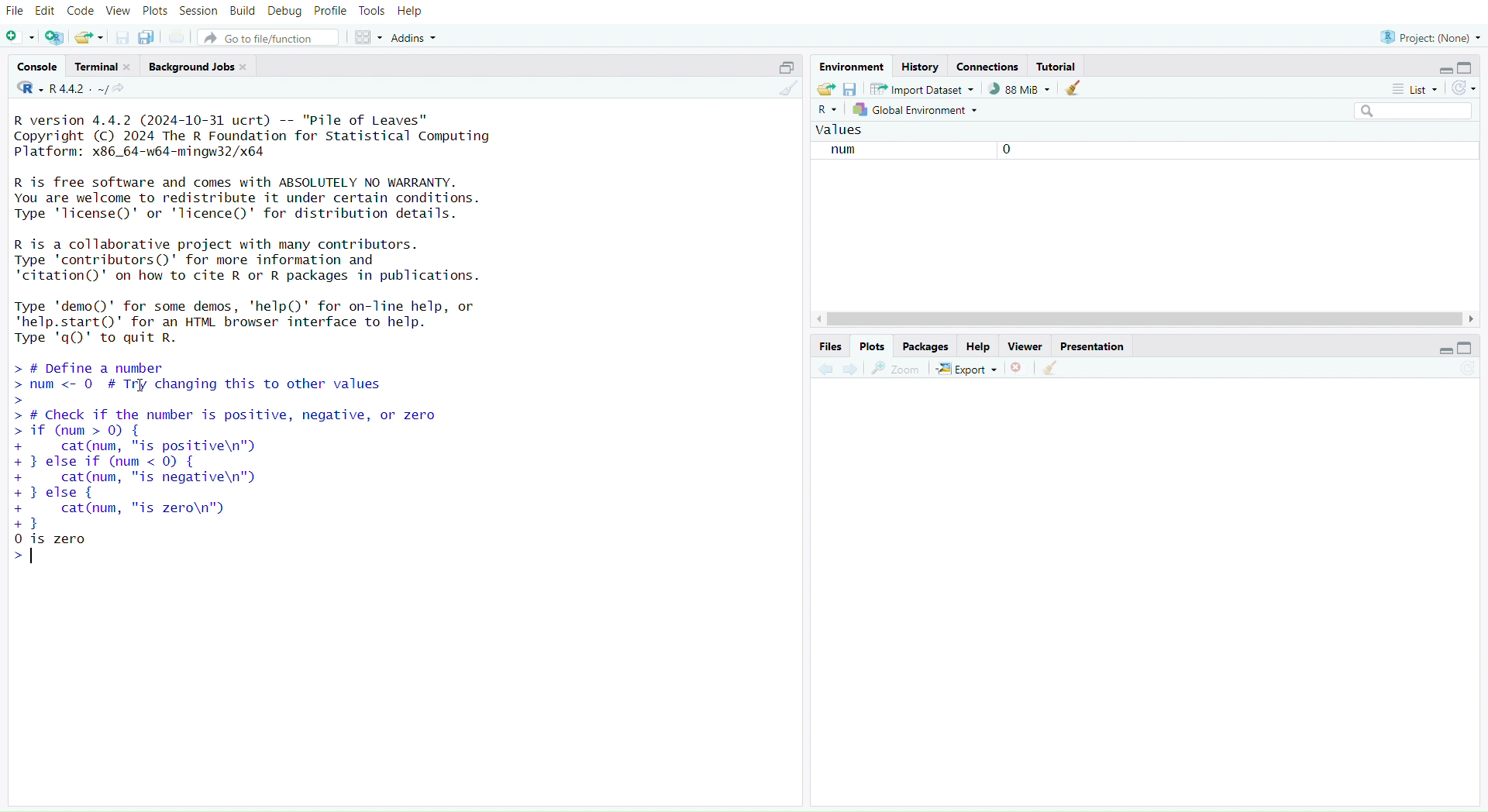 This screenshot has width=1488, height=812. I want to click on tutorial, so click(1057, 66).